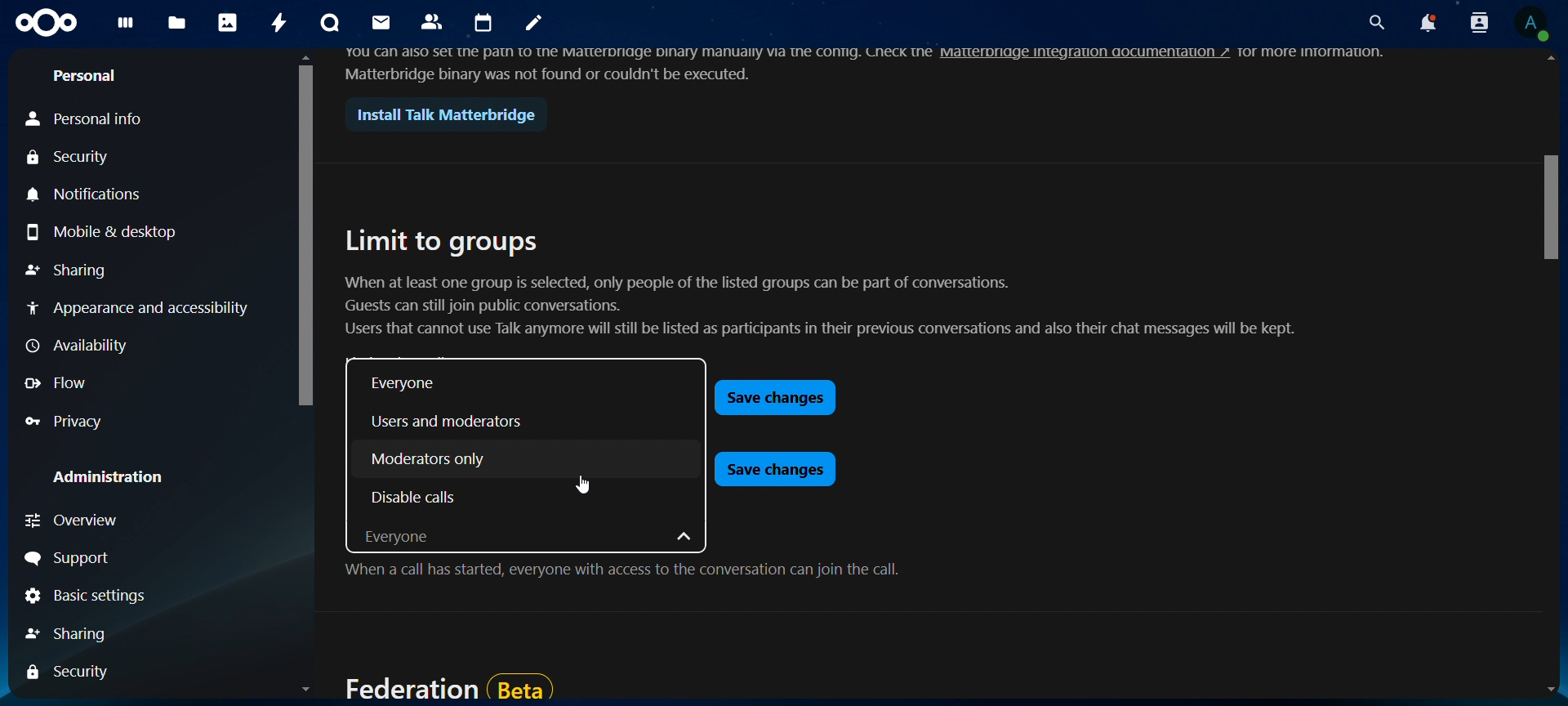  What do you see at coordinates (62, 386) in the screenshot?
I see `Flow` at bounding box center [62, 386].